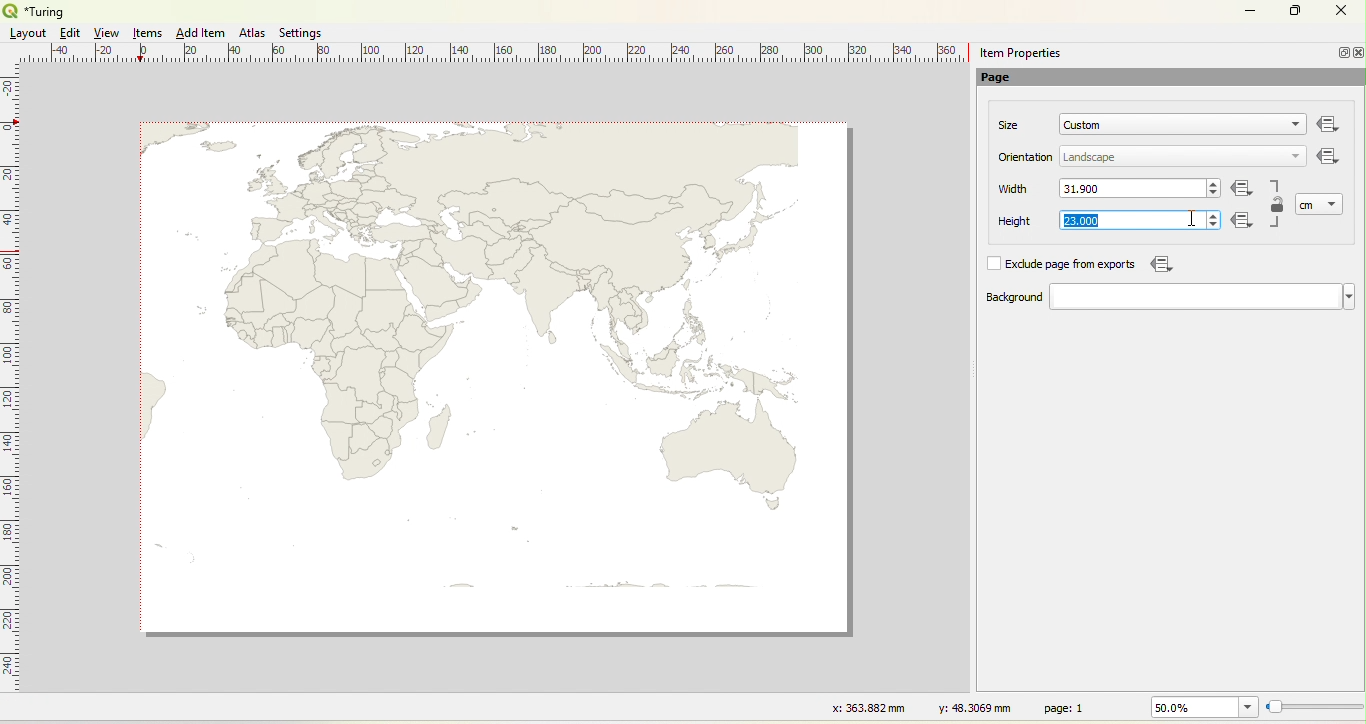  I want to click on Lock/Unlock, so click(1278, 206).